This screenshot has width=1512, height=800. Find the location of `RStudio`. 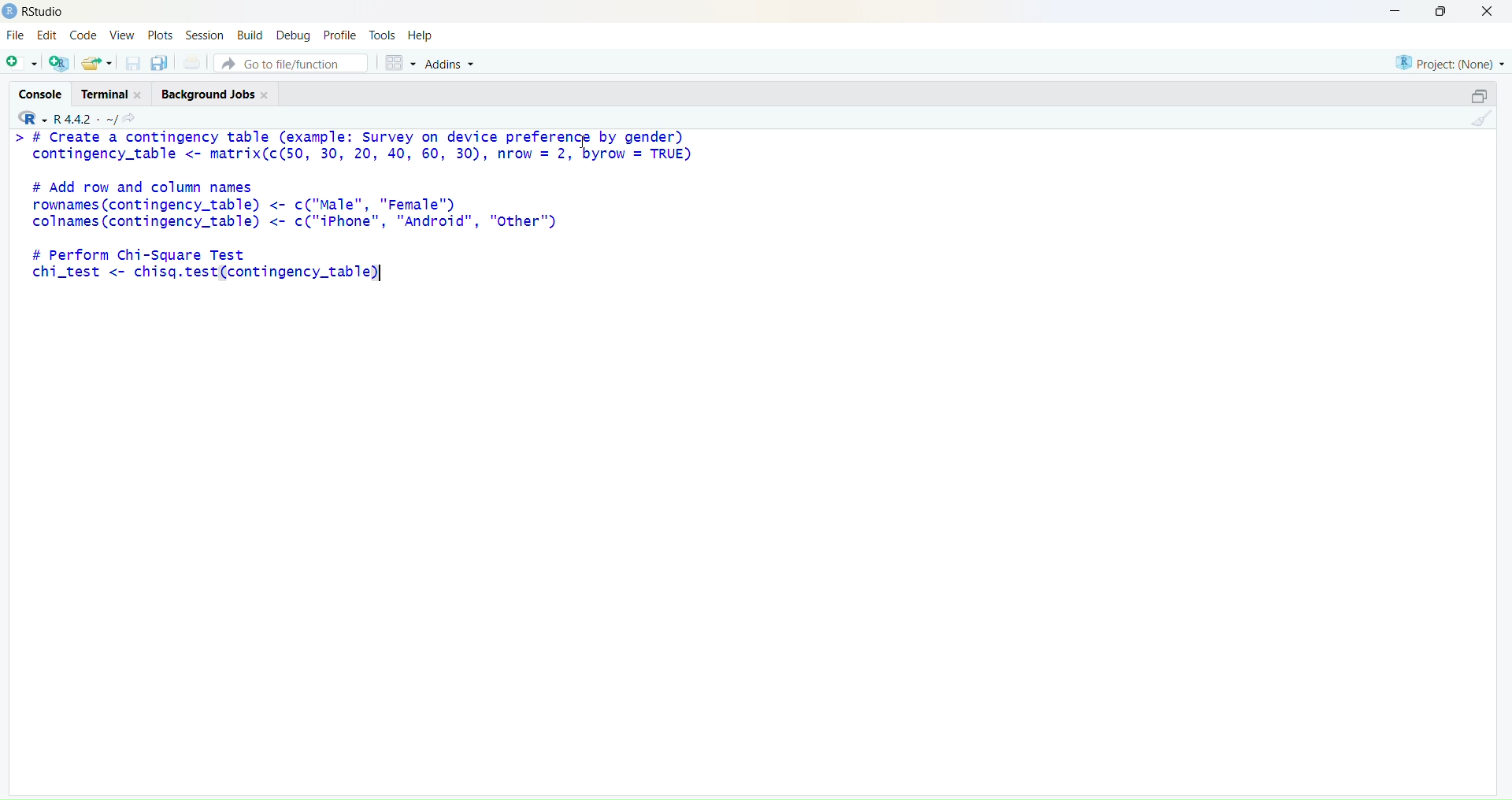

RStudio is located at coordinates (46, 12).